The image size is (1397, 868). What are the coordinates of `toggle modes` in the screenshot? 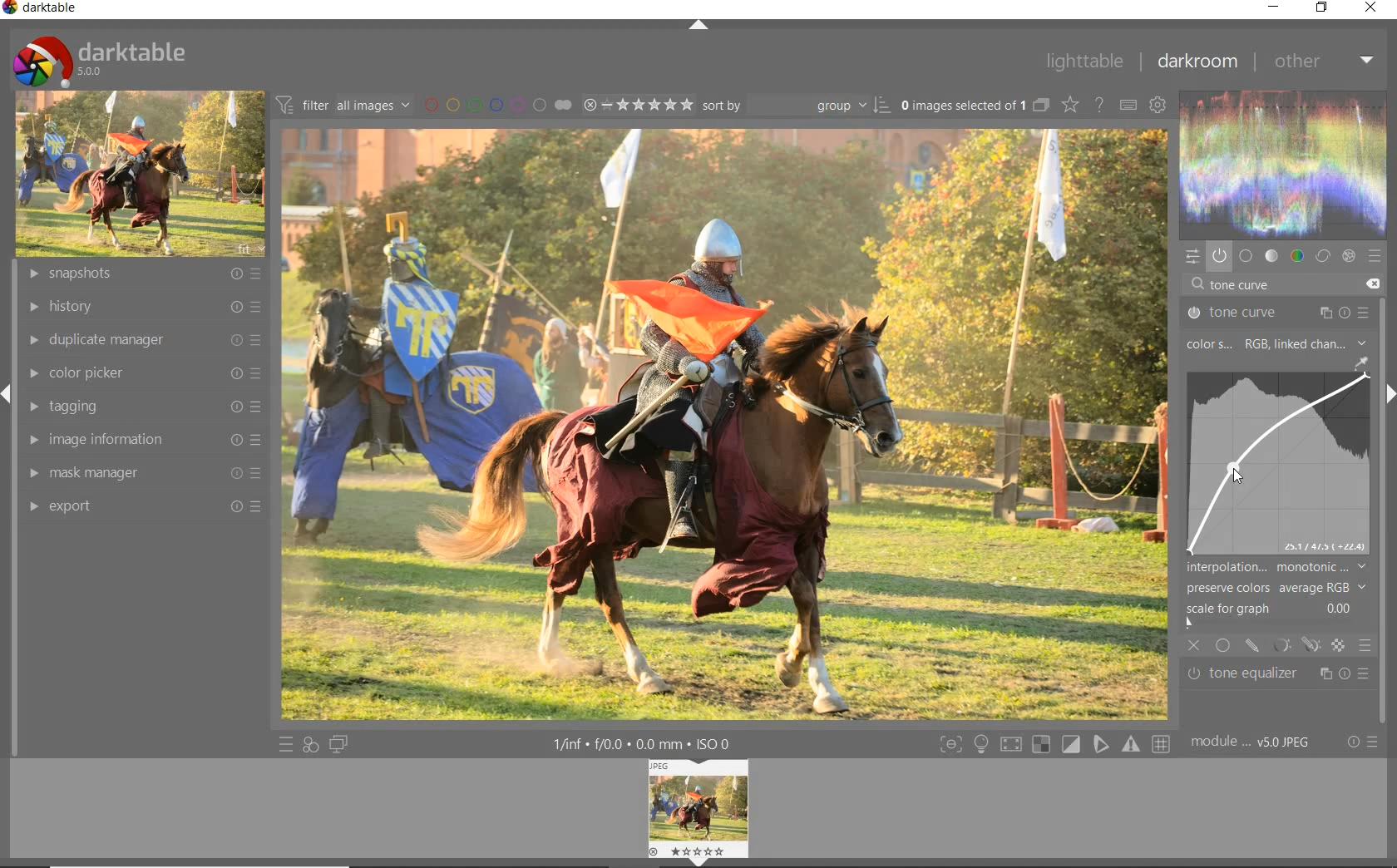 It's located at (1051, 744).